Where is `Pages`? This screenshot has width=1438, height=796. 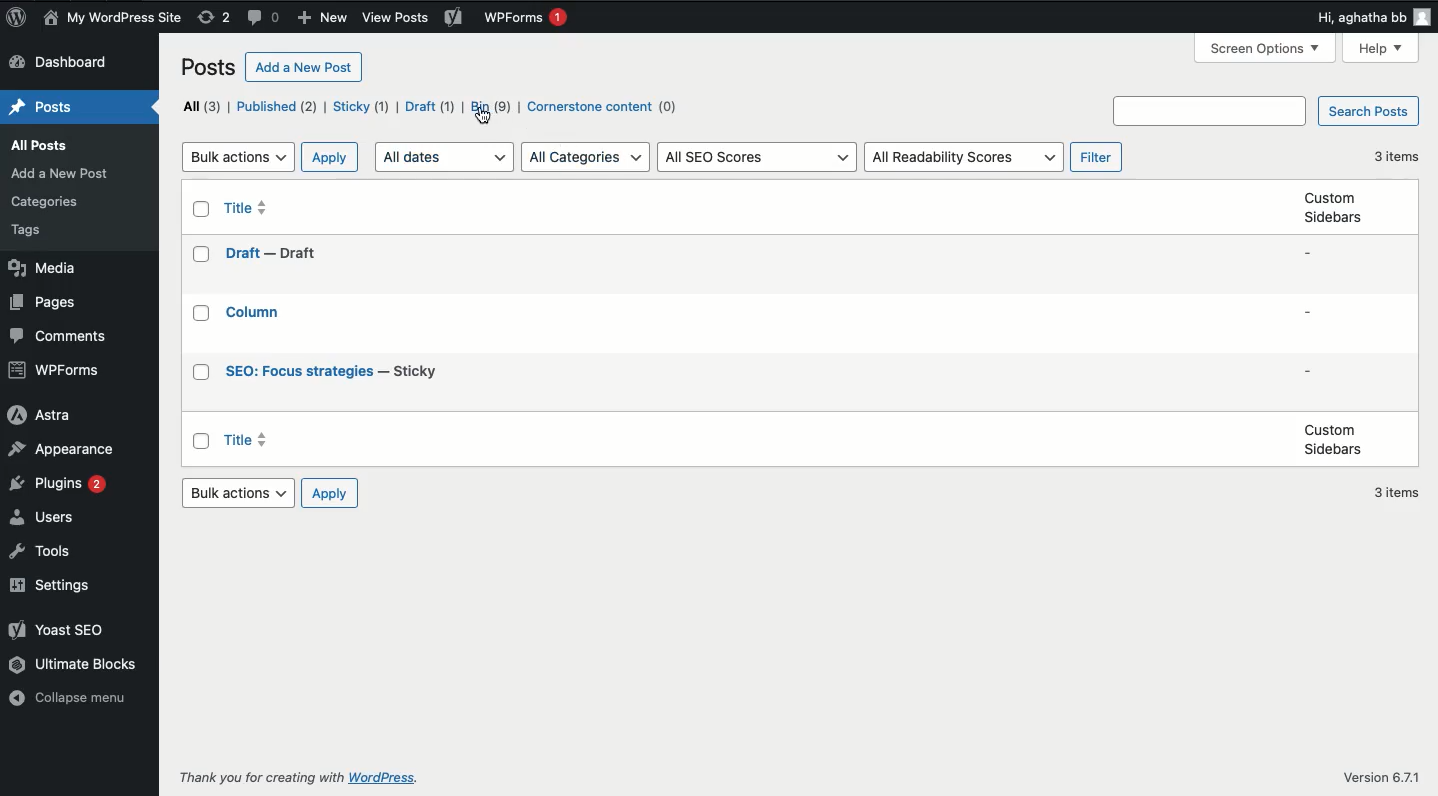
Pages is located at coordinates (42, 304).